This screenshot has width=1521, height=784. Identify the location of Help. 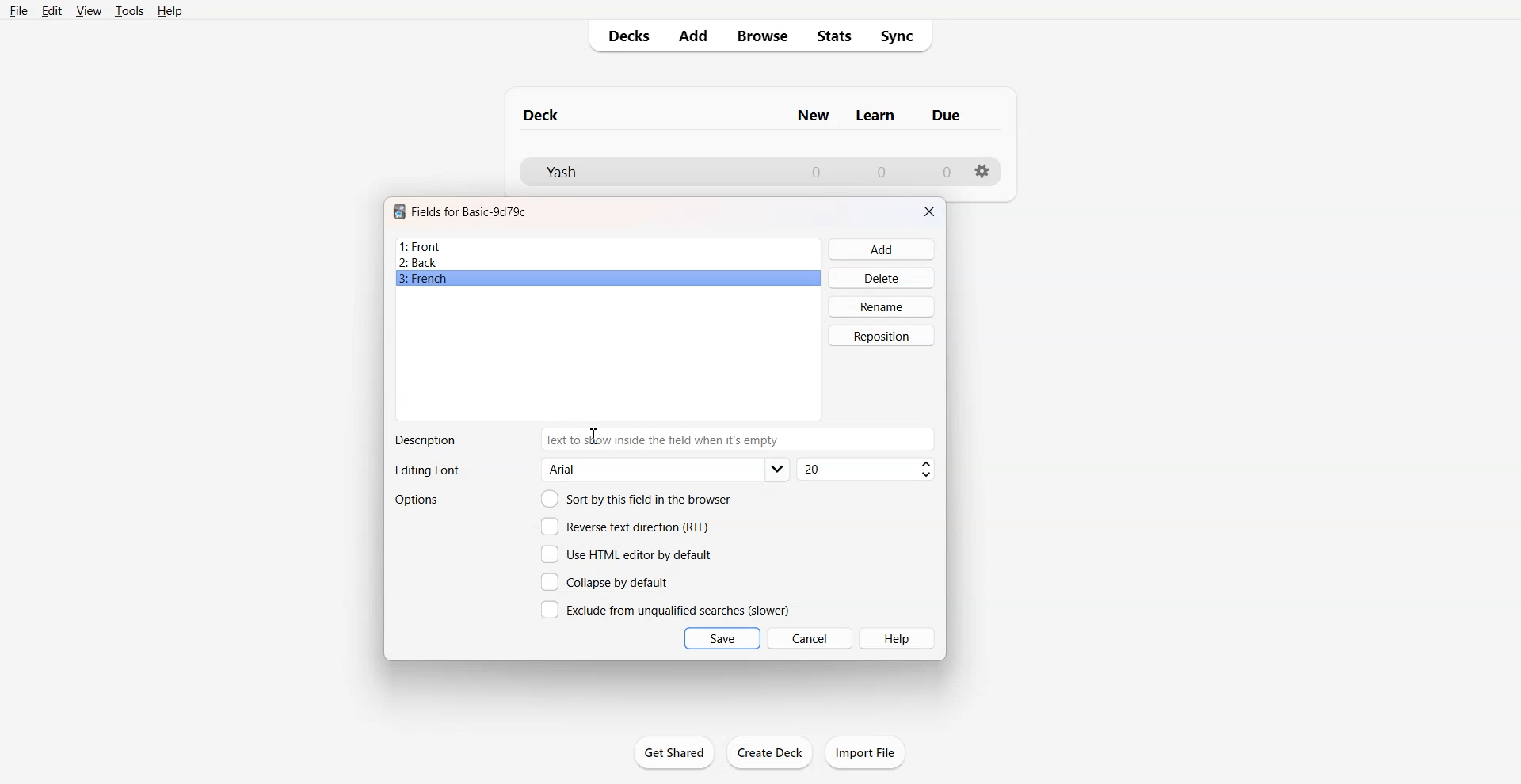
(898, 638).